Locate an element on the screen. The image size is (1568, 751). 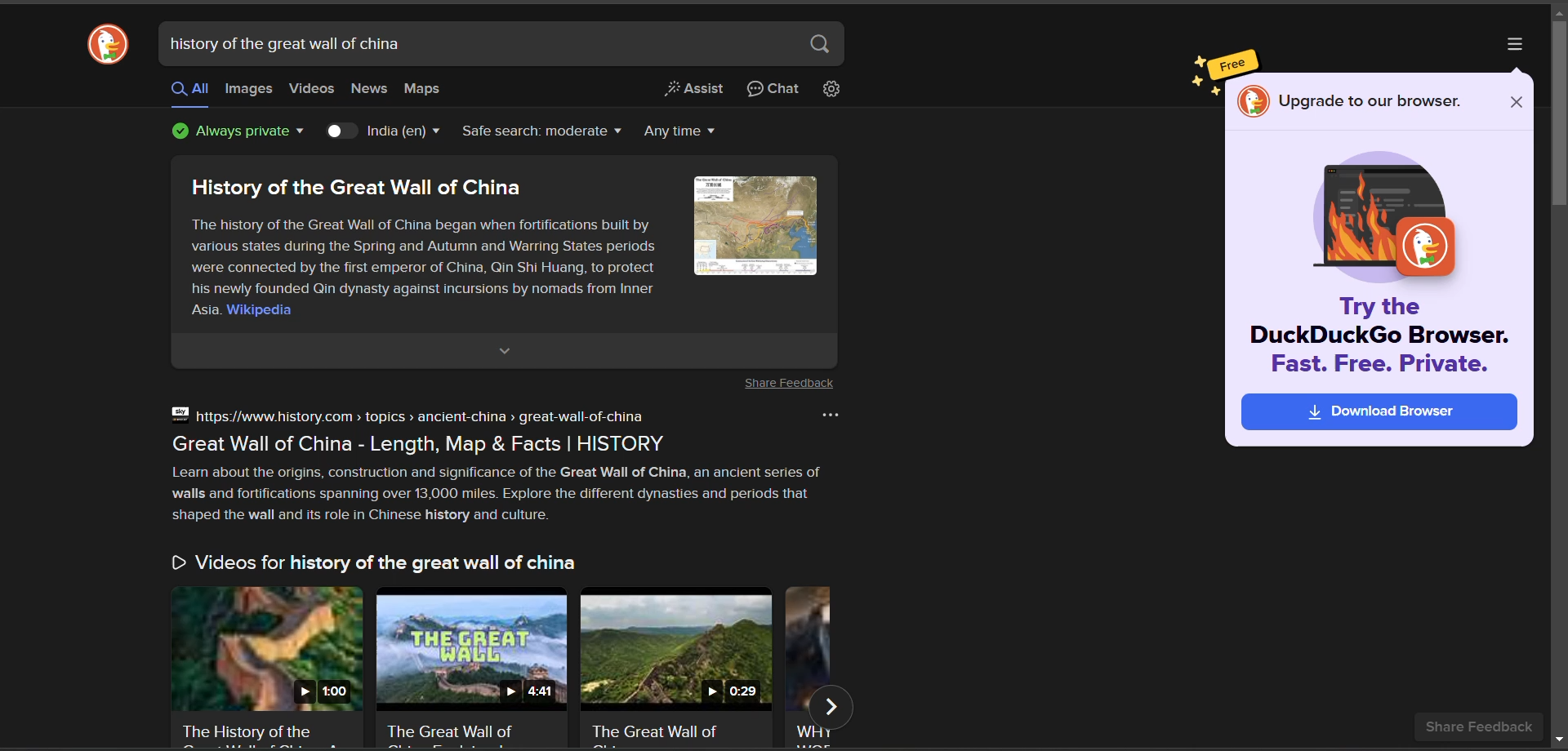
expand is located at coordinates (506, 355).